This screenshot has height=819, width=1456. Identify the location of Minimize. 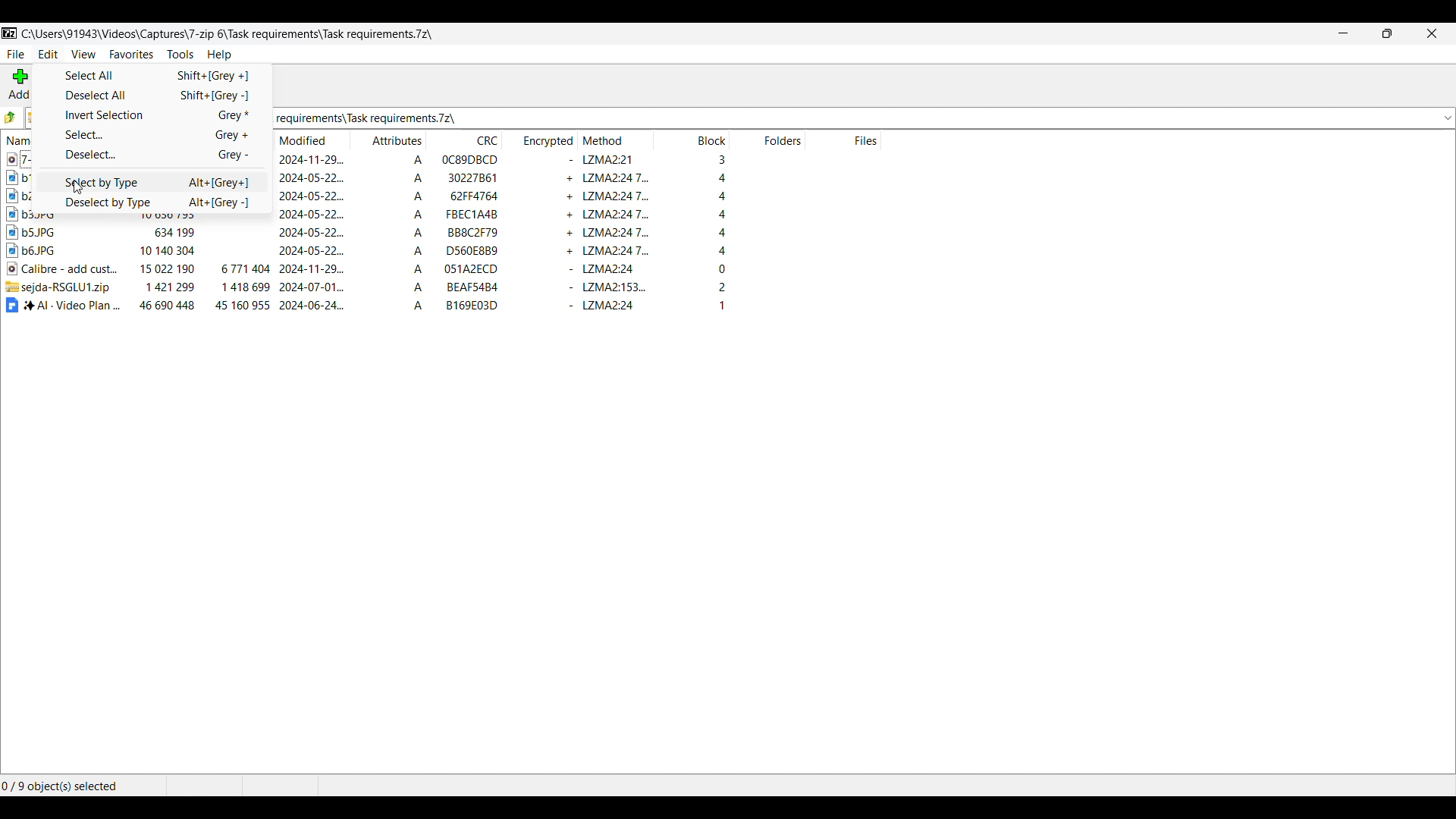
(1344, 33).